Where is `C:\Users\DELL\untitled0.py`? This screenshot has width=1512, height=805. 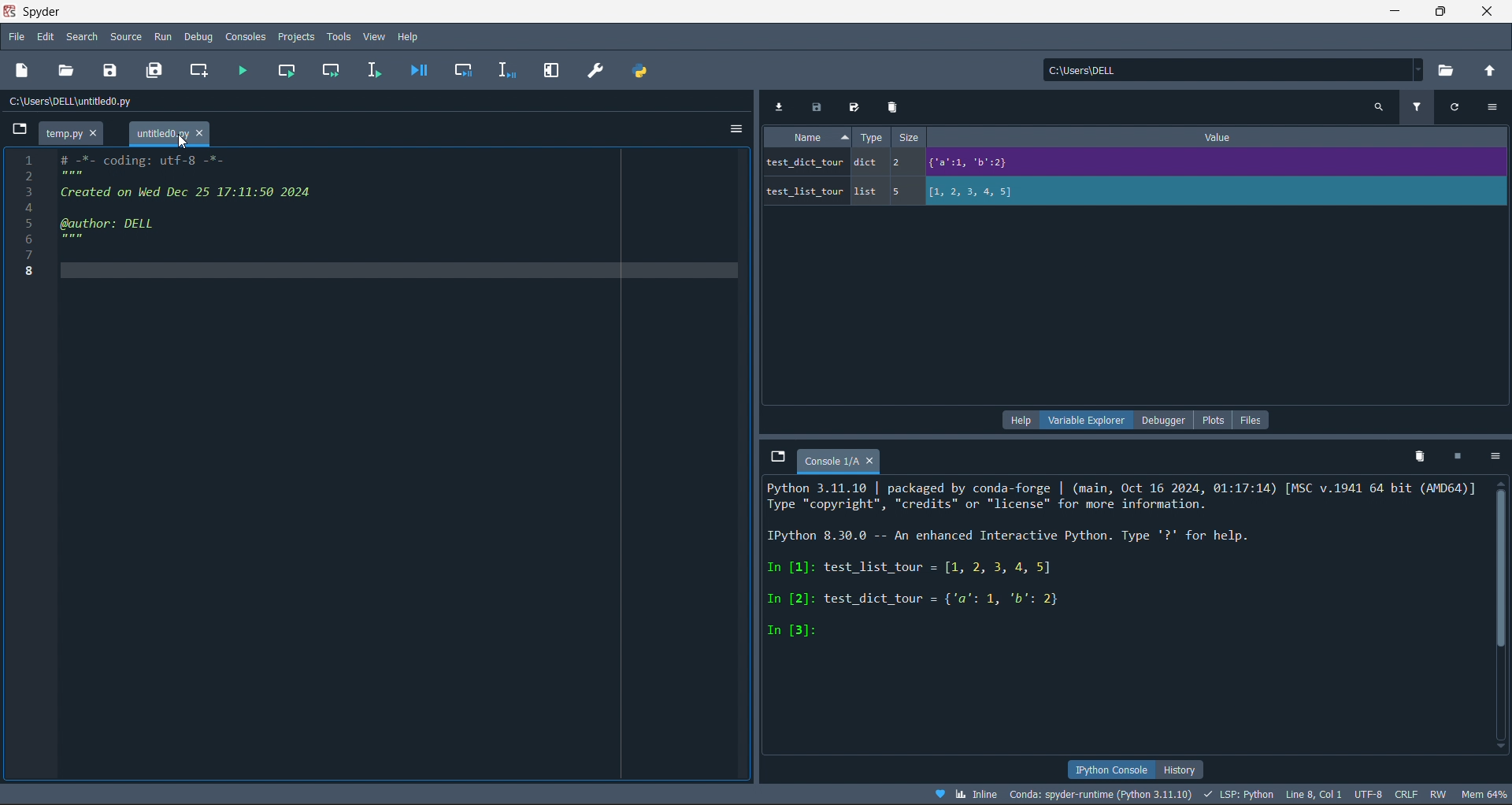
C:\Users\DELL\untitled0.py is located at coordinates (83, 104).